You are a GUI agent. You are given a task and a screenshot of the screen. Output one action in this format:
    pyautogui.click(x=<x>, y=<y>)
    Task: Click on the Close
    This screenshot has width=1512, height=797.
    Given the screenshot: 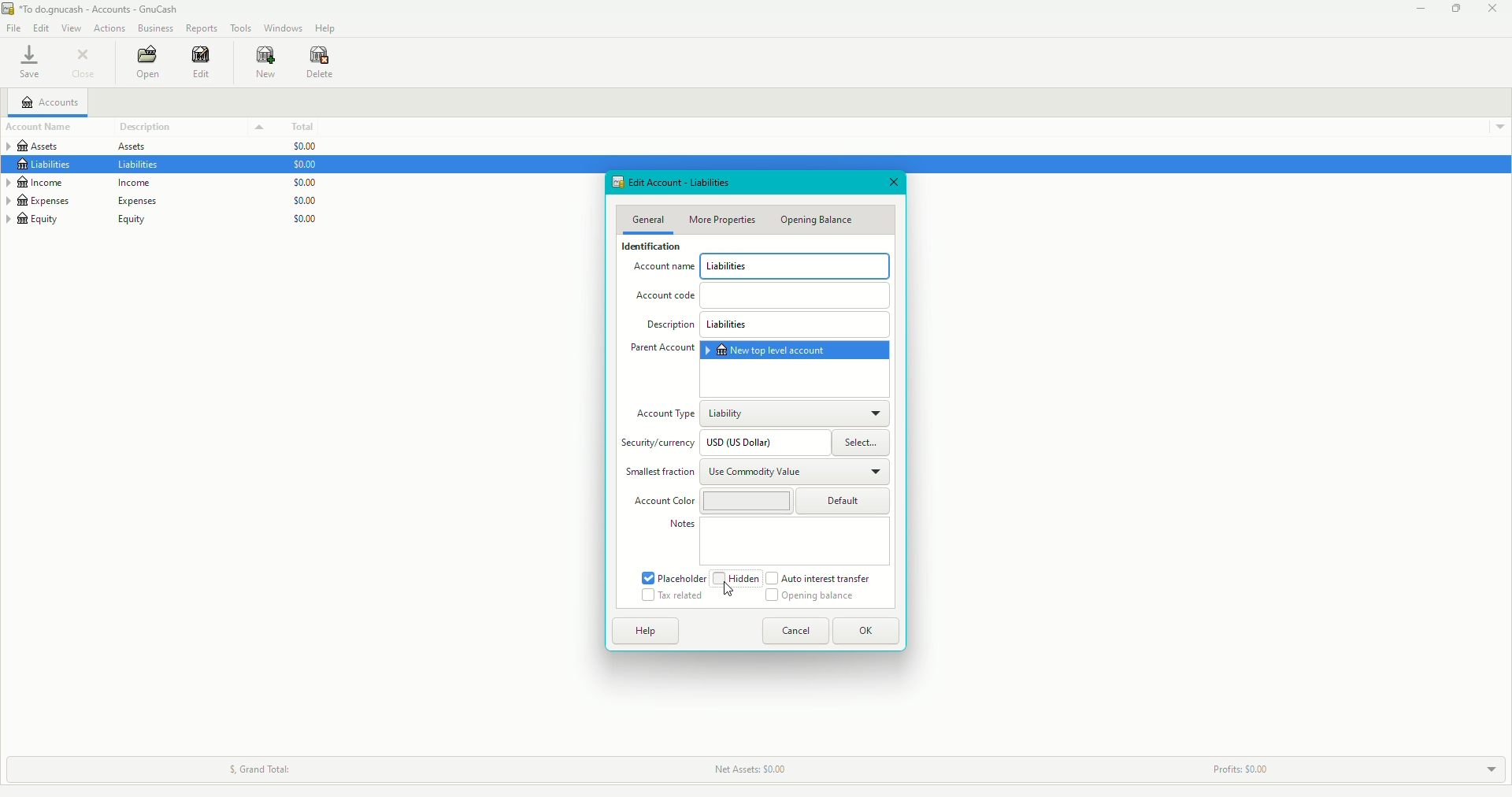 What is the action you would take?
    pyautogui.click(x=1493, y=9)
    